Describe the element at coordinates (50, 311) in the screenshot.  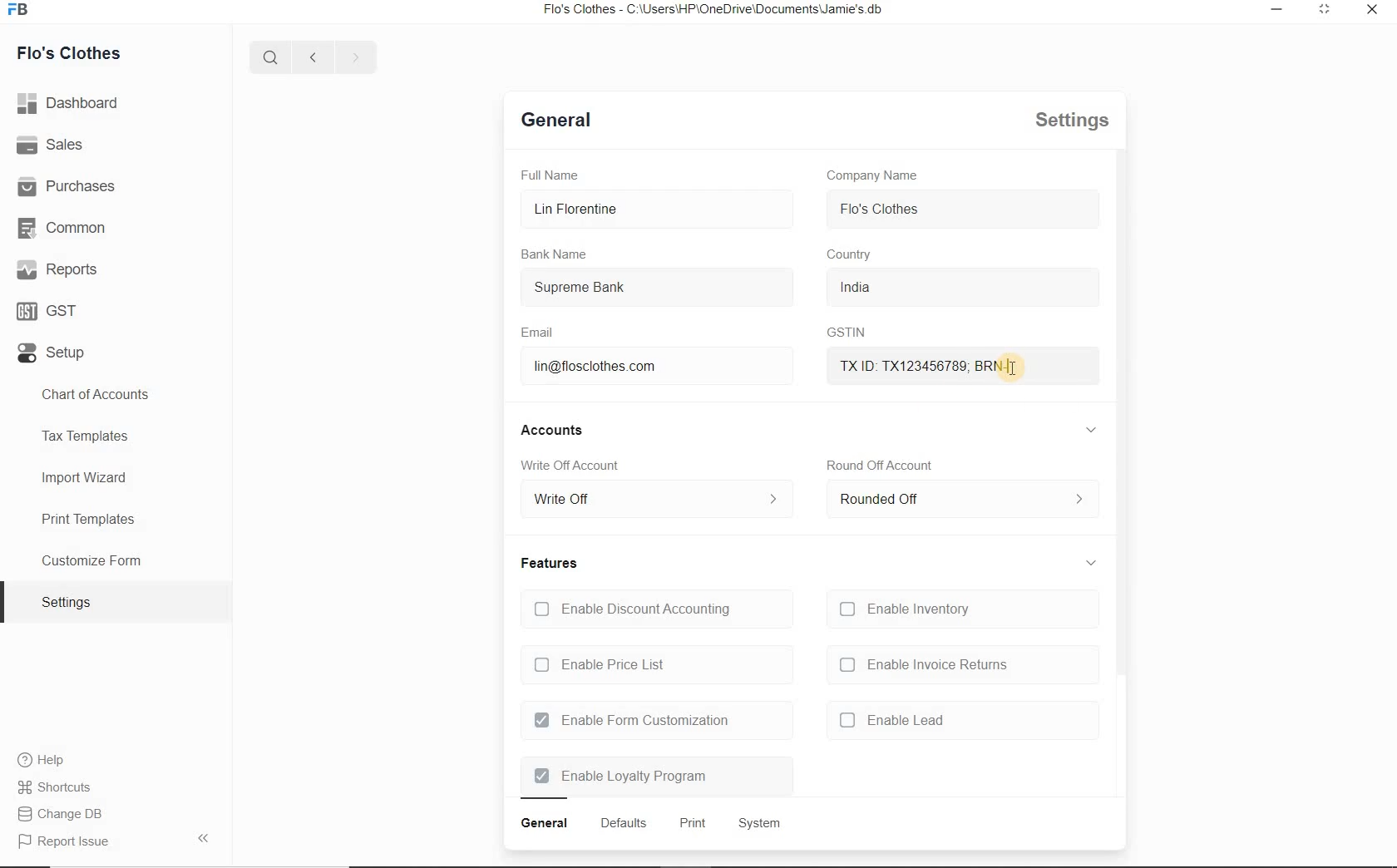
I see `GST` at that location.